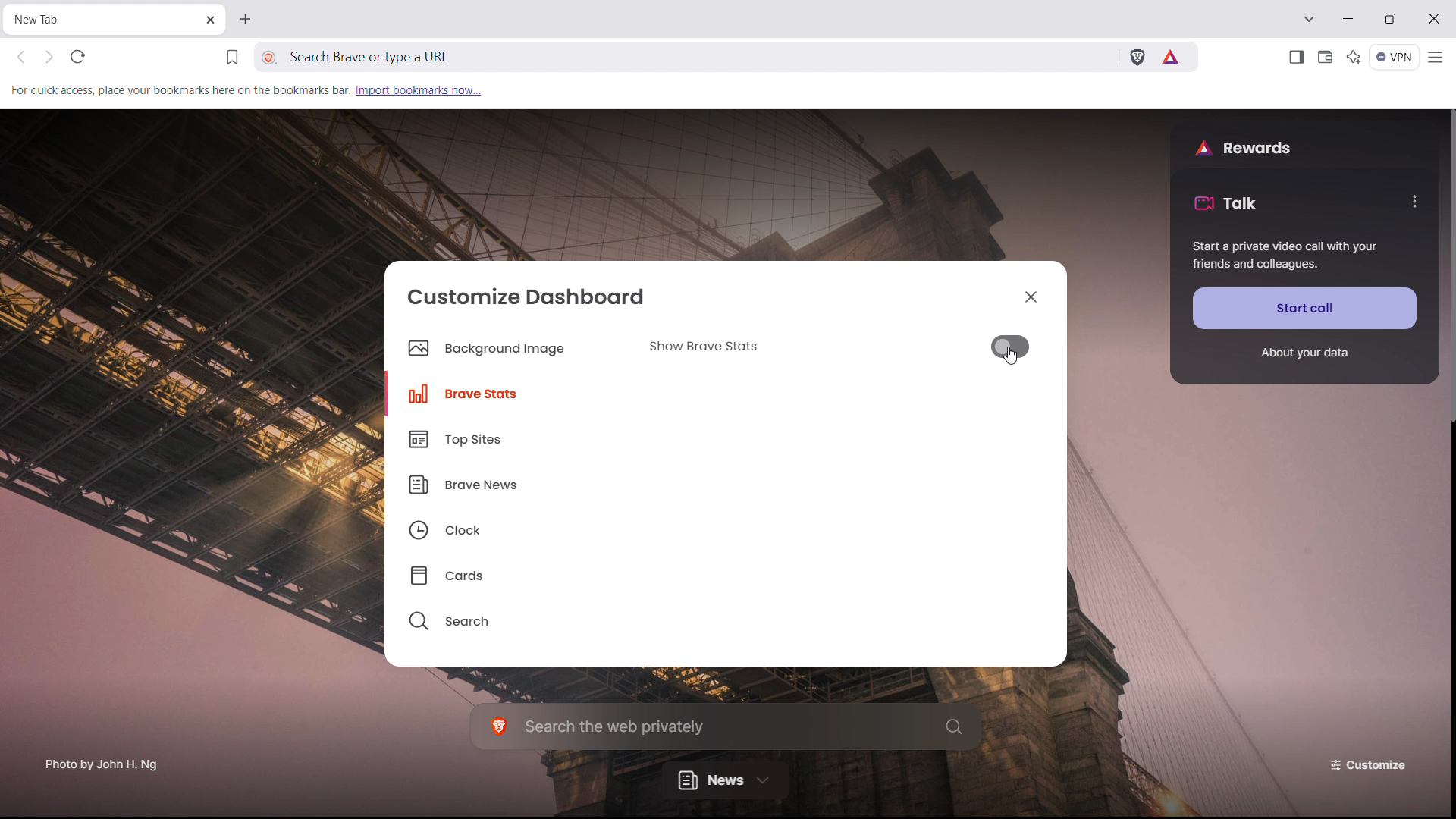  Describe the element at coordinates (232, 58) in the screenshot. I see `bookmark this page` at that location.